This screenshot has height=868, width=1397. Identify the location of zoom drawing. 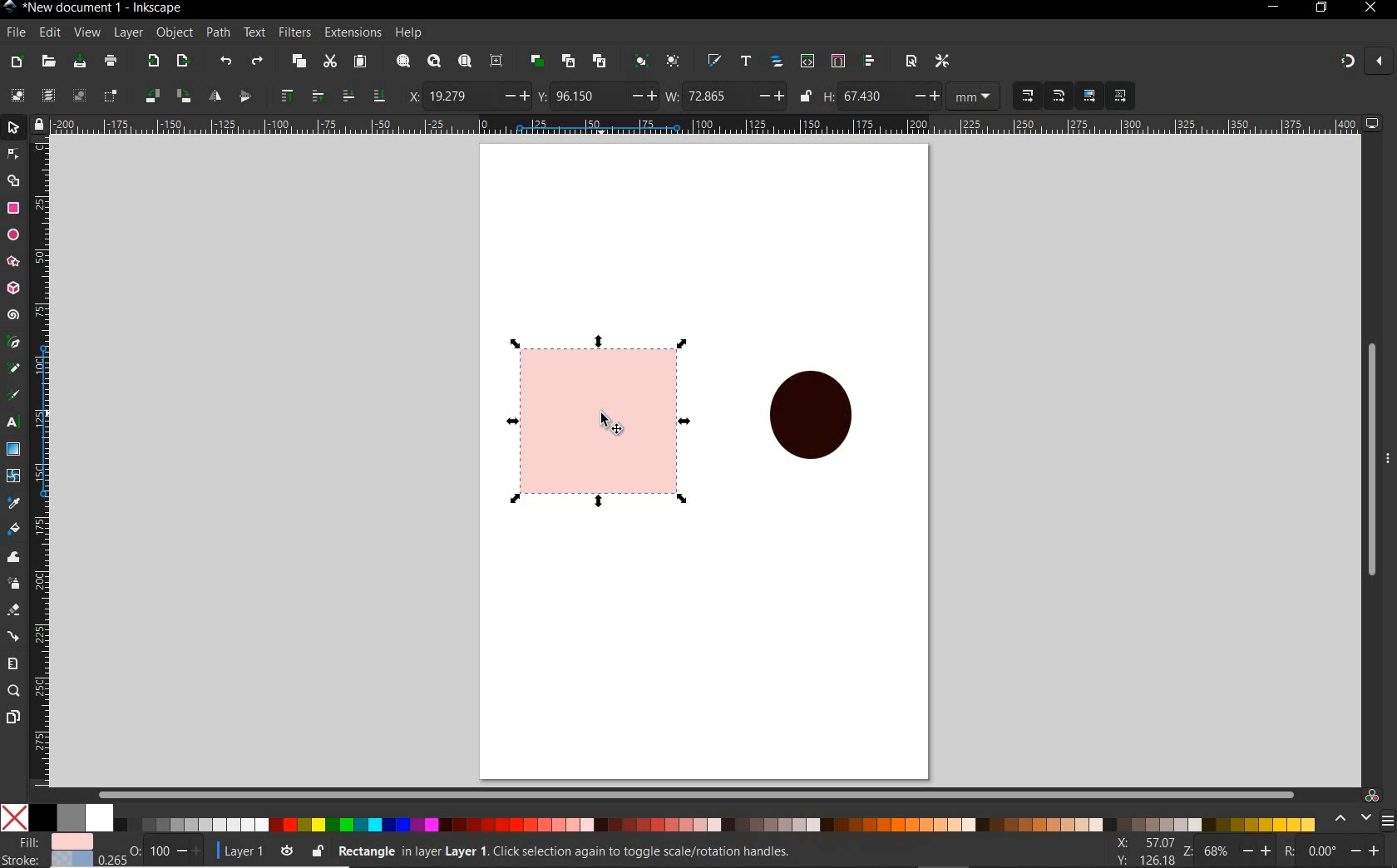
(435, 61).